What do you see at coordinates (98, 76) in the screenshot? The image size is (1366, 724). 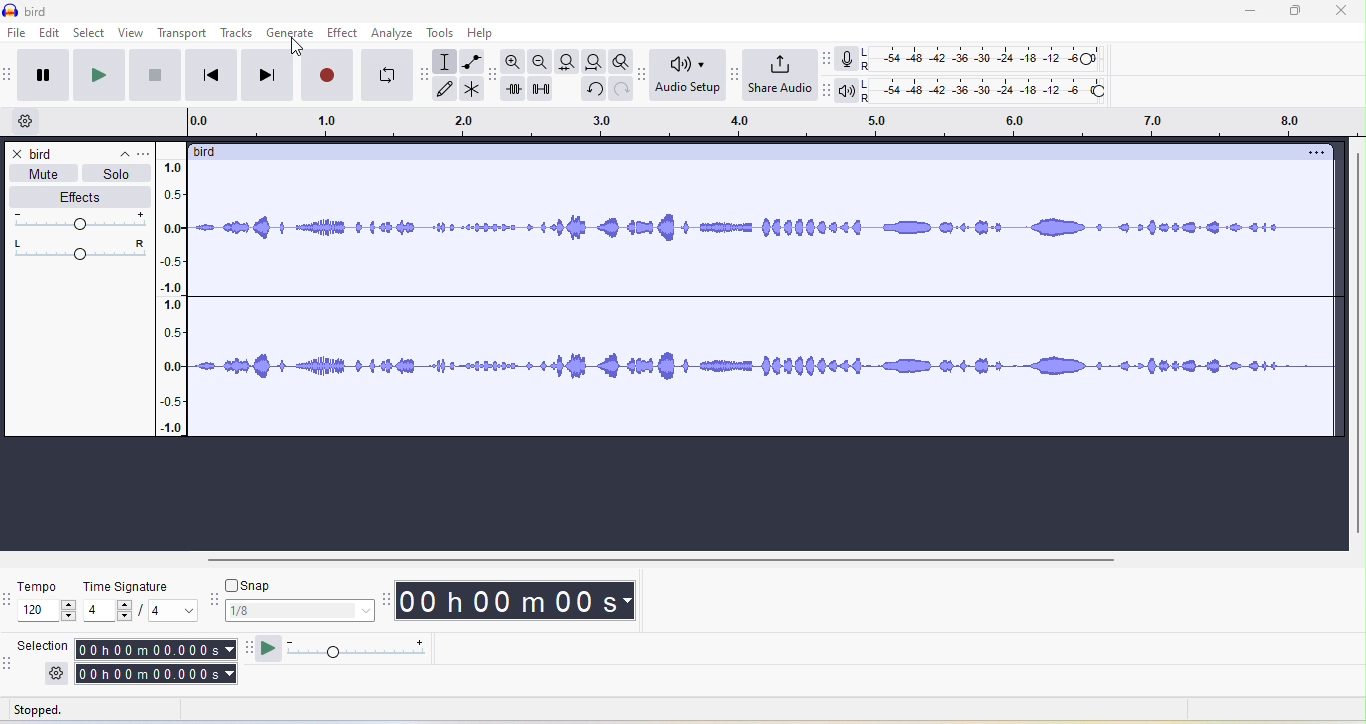 I see `play` at bounding box center [98, 76].